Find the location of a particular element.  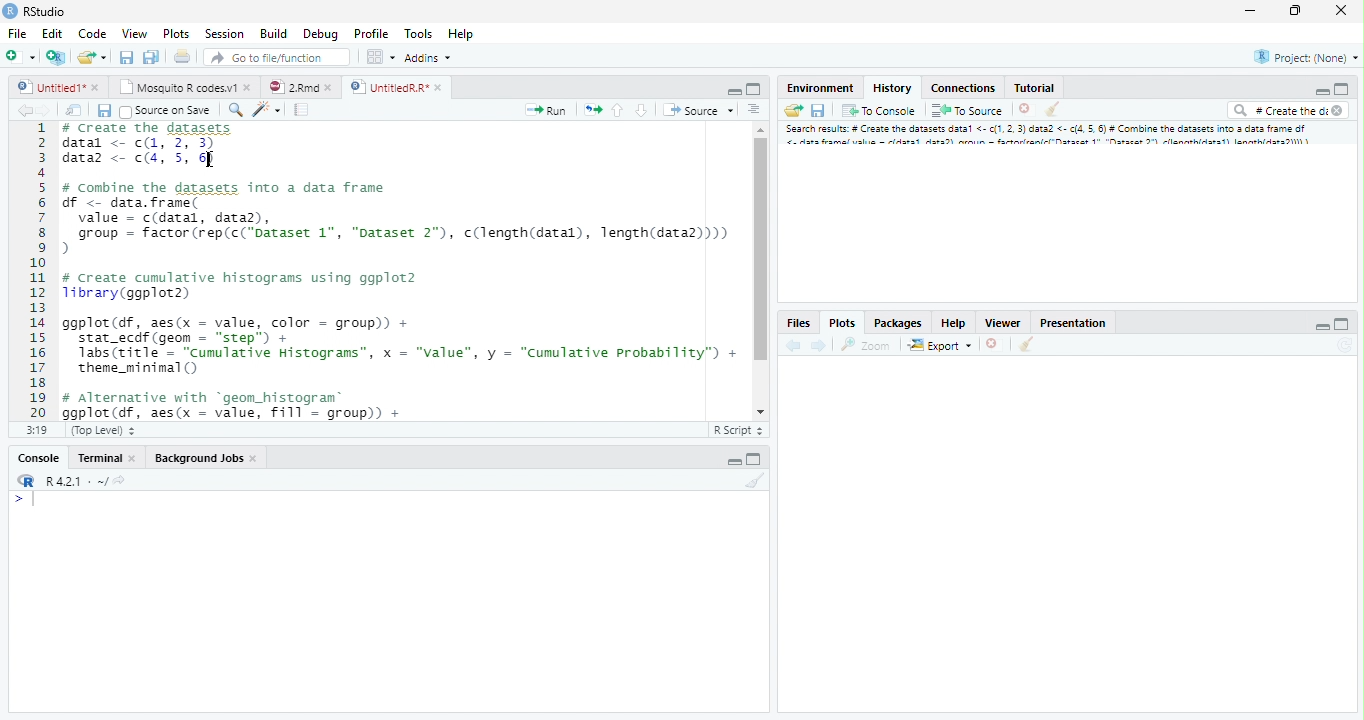

Save is located at coordinates (822, 109).